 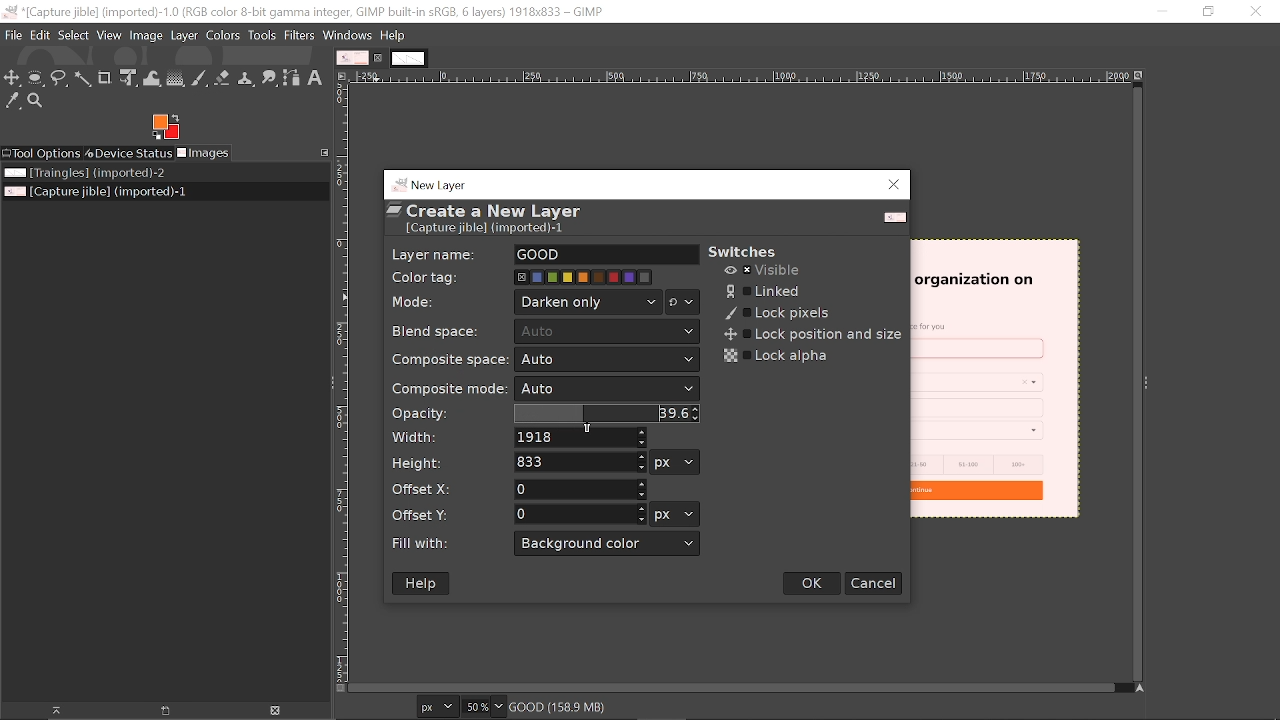 I want to click on current image, so click(x=996, y=381).